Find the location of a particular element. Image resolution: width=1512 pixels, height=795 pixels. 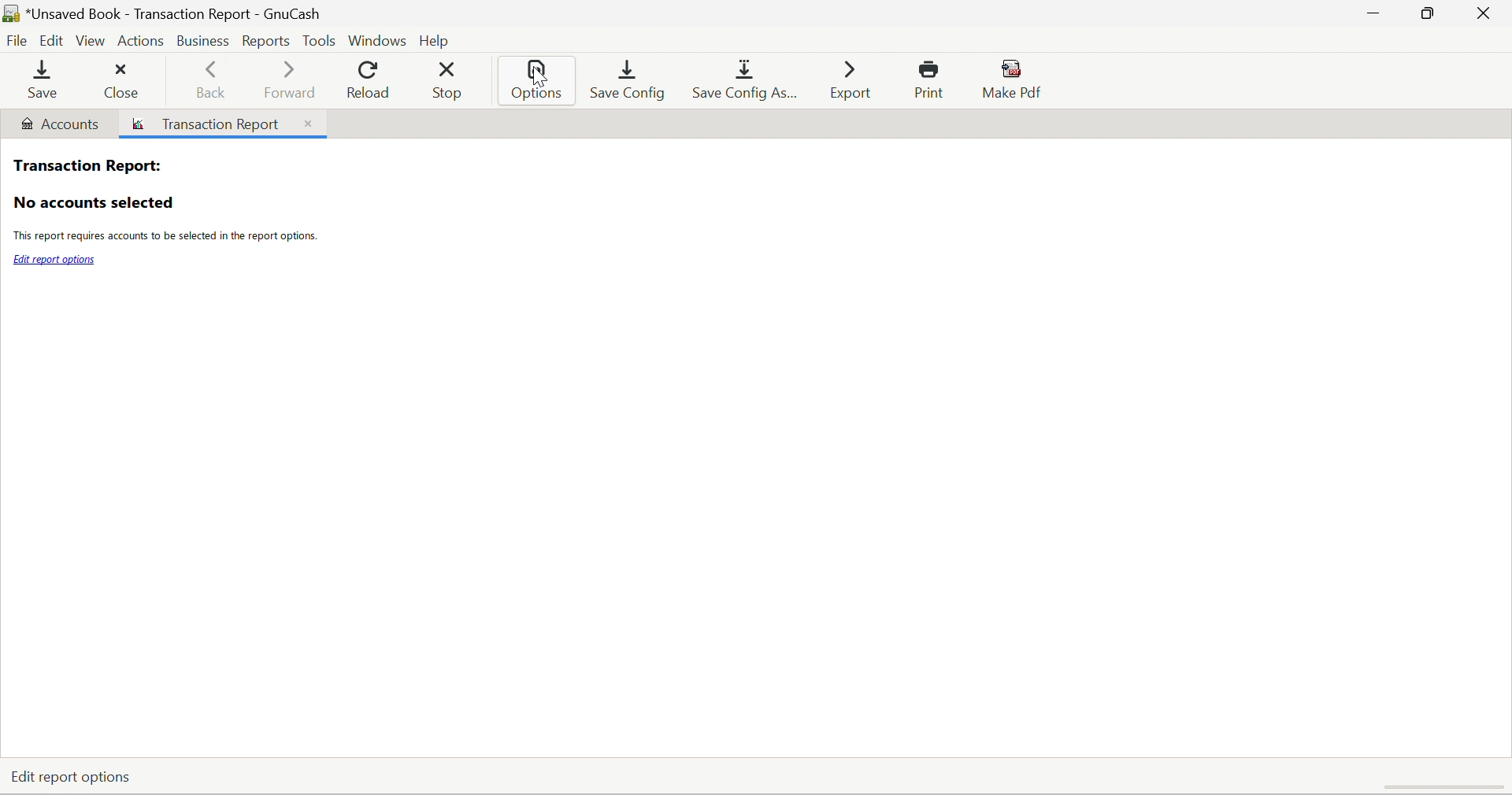

Accounts is located at coordinates (59, 124).